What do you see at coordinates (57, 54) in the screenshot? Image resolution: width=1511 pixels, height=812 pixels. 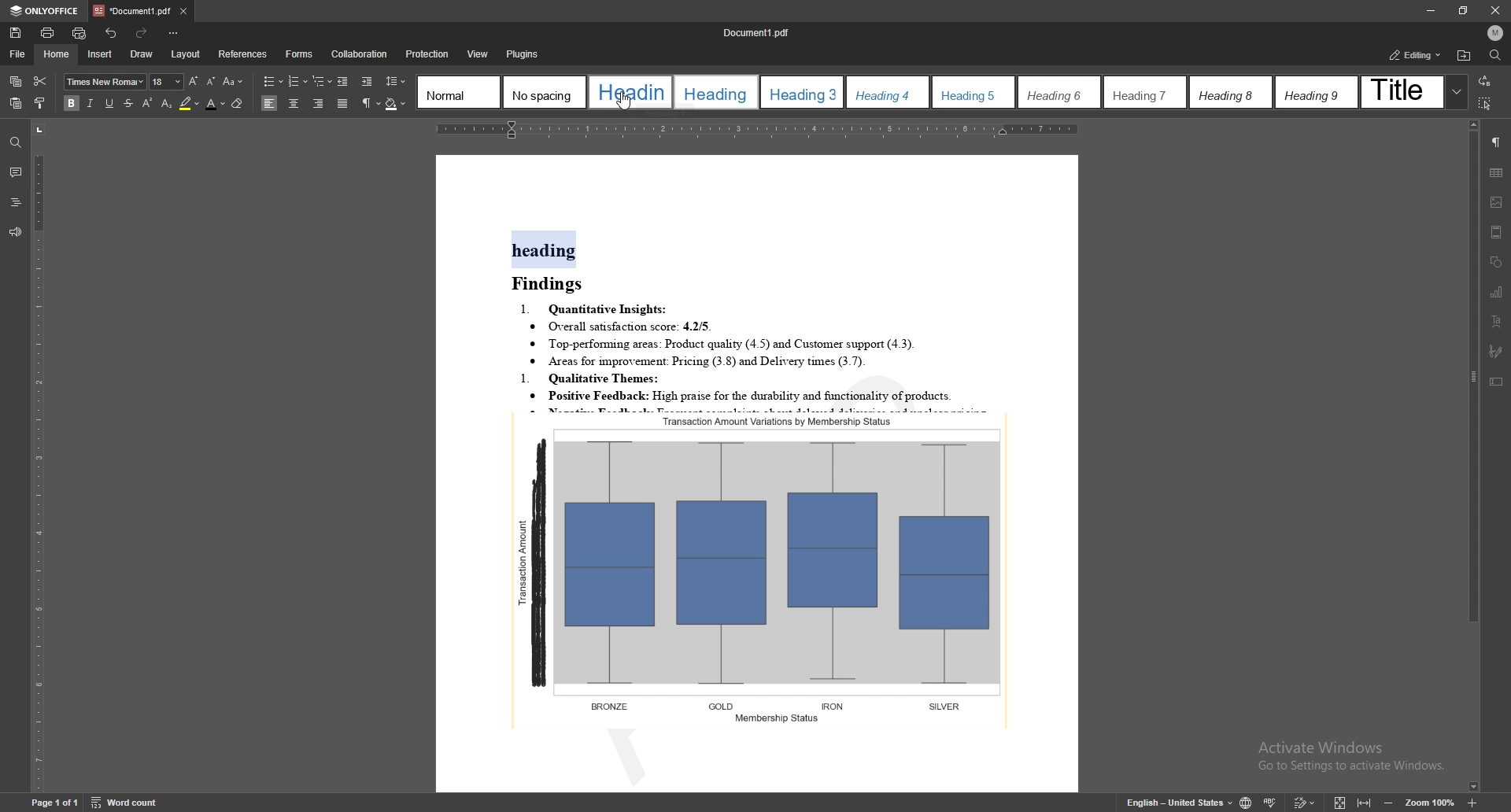 I see `home` at bounding box center [57, 54].